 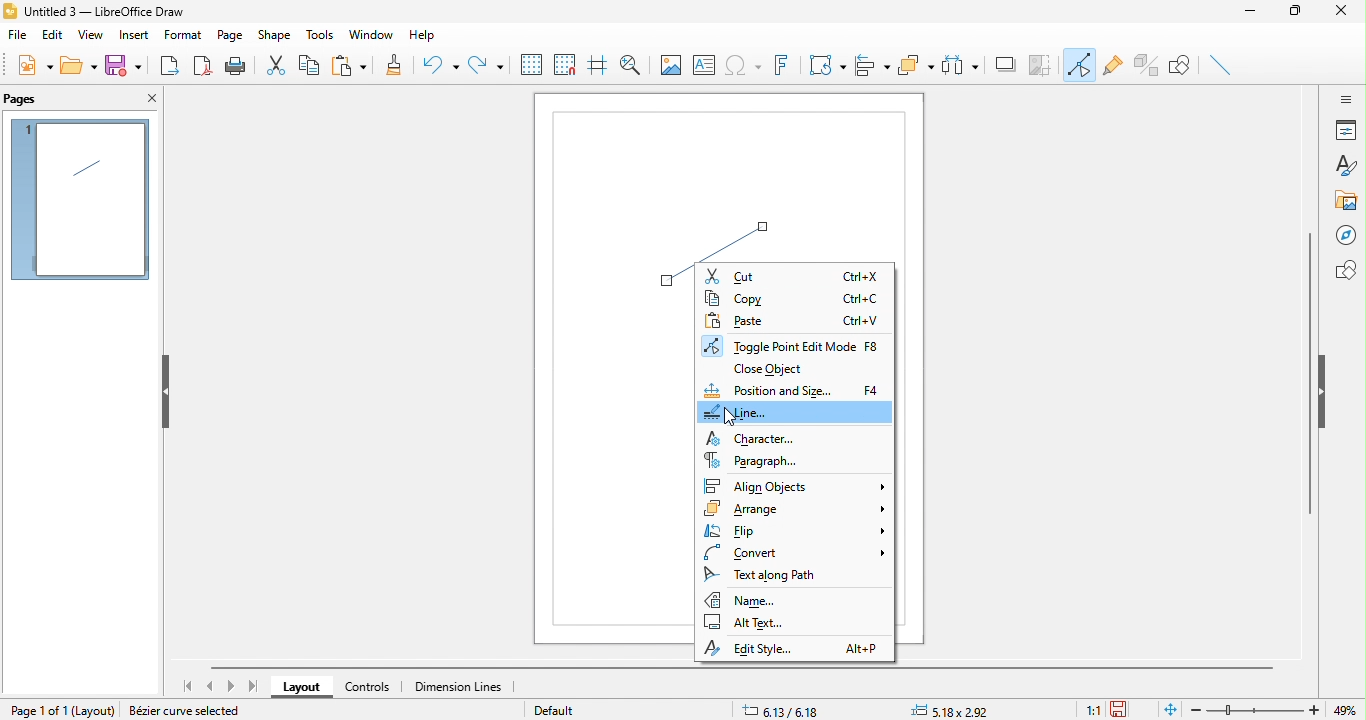 I want to click on special character, so click(x=746, y=67).